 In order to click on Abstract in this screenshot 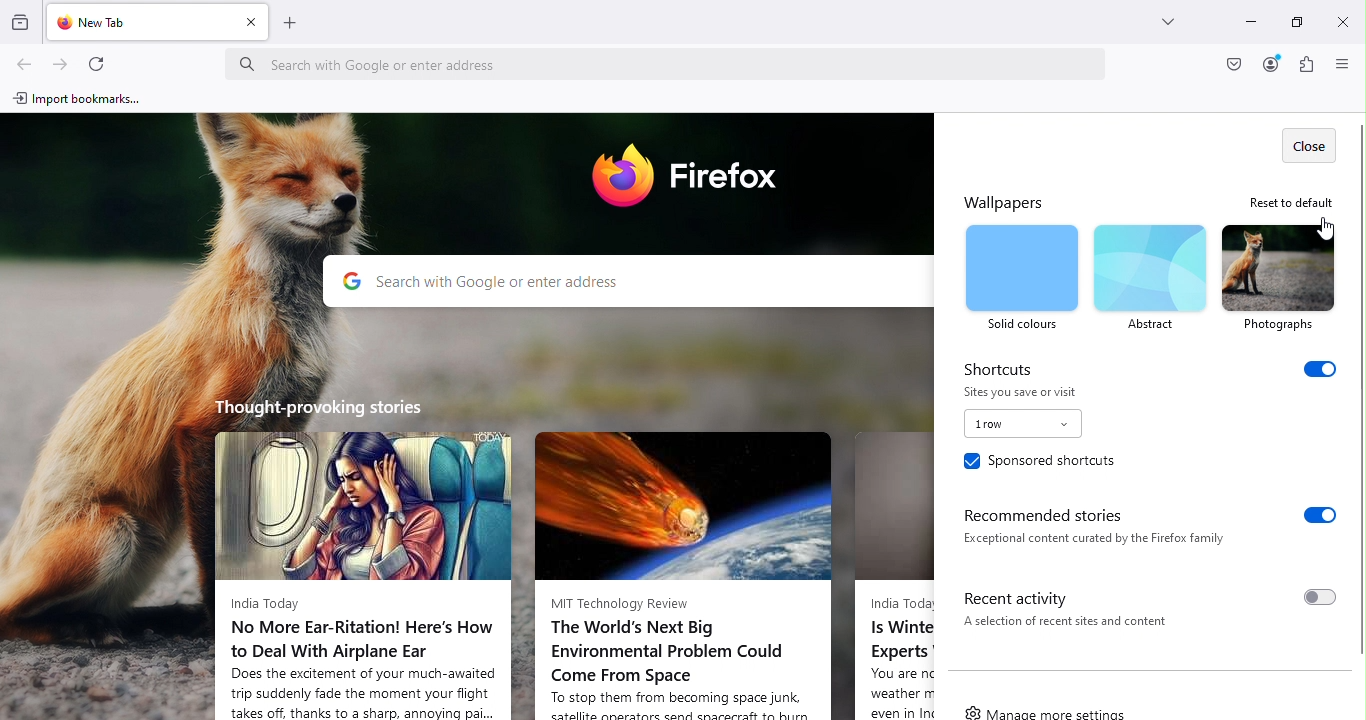, I will do `click(1150, 277)`.